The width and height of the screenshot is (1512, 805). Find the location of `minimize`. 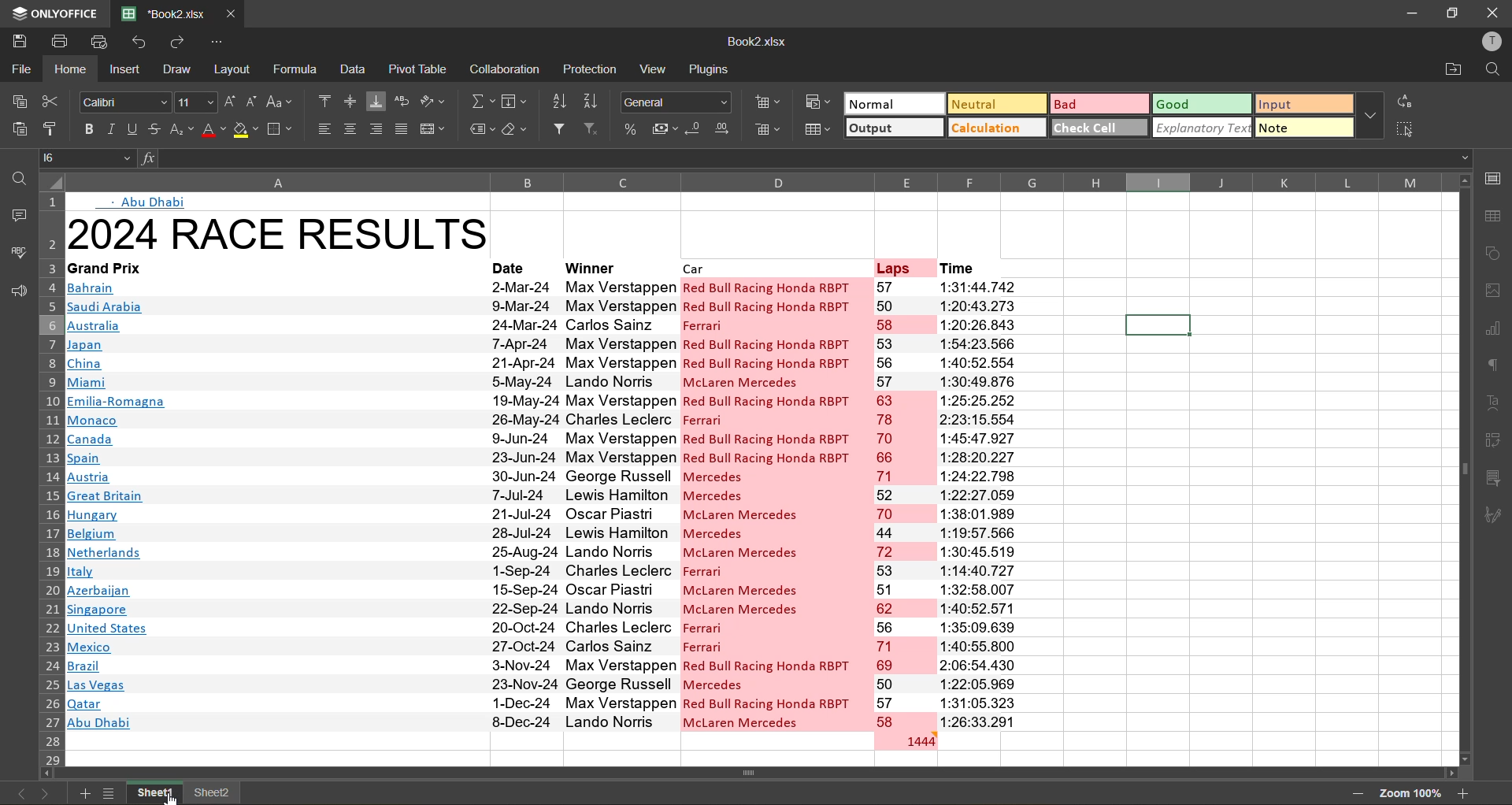

minimize is located at coordinates (1406, 14).